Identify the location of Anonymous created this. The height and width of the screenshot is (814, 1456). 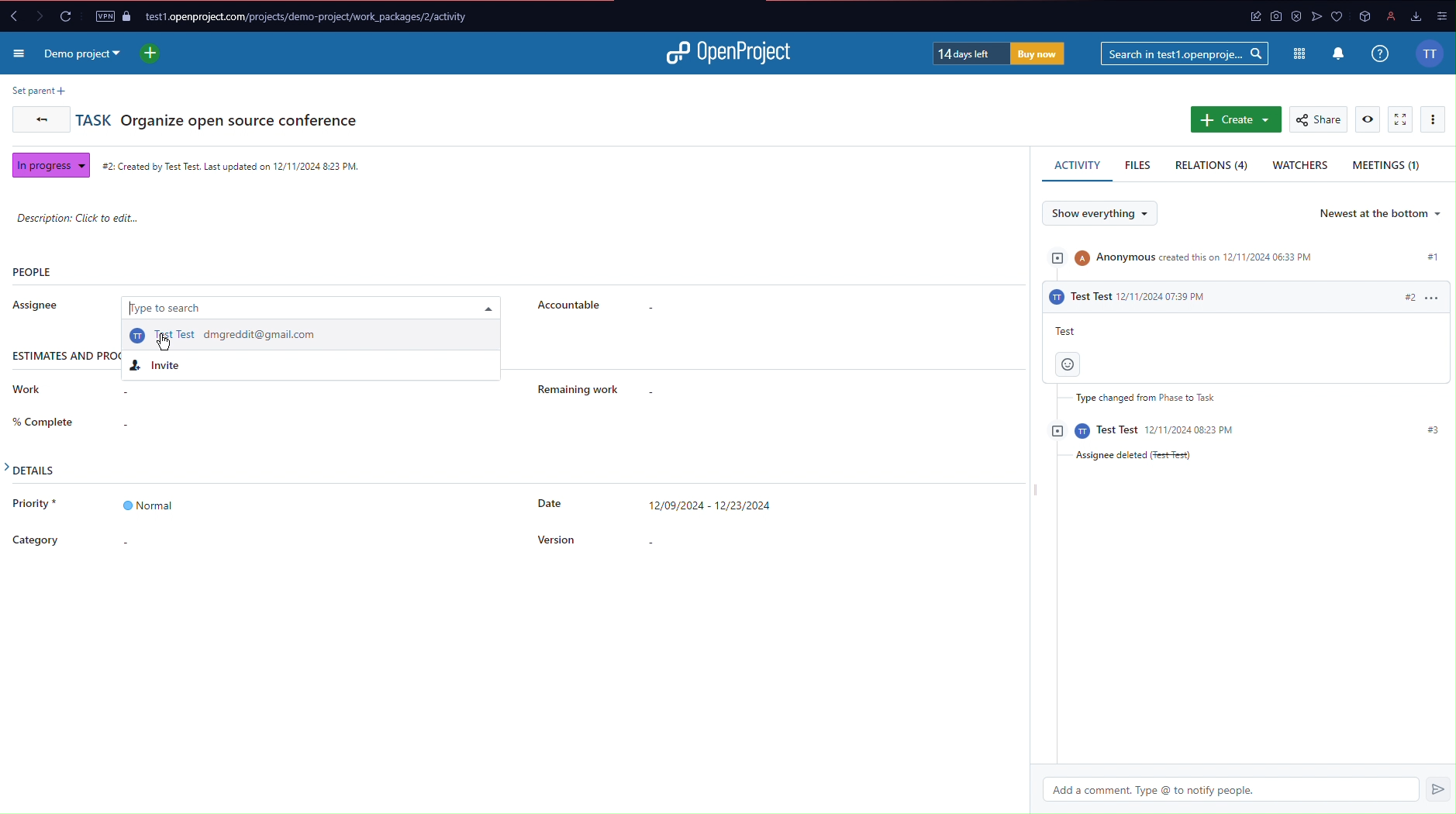
(1186, 254).